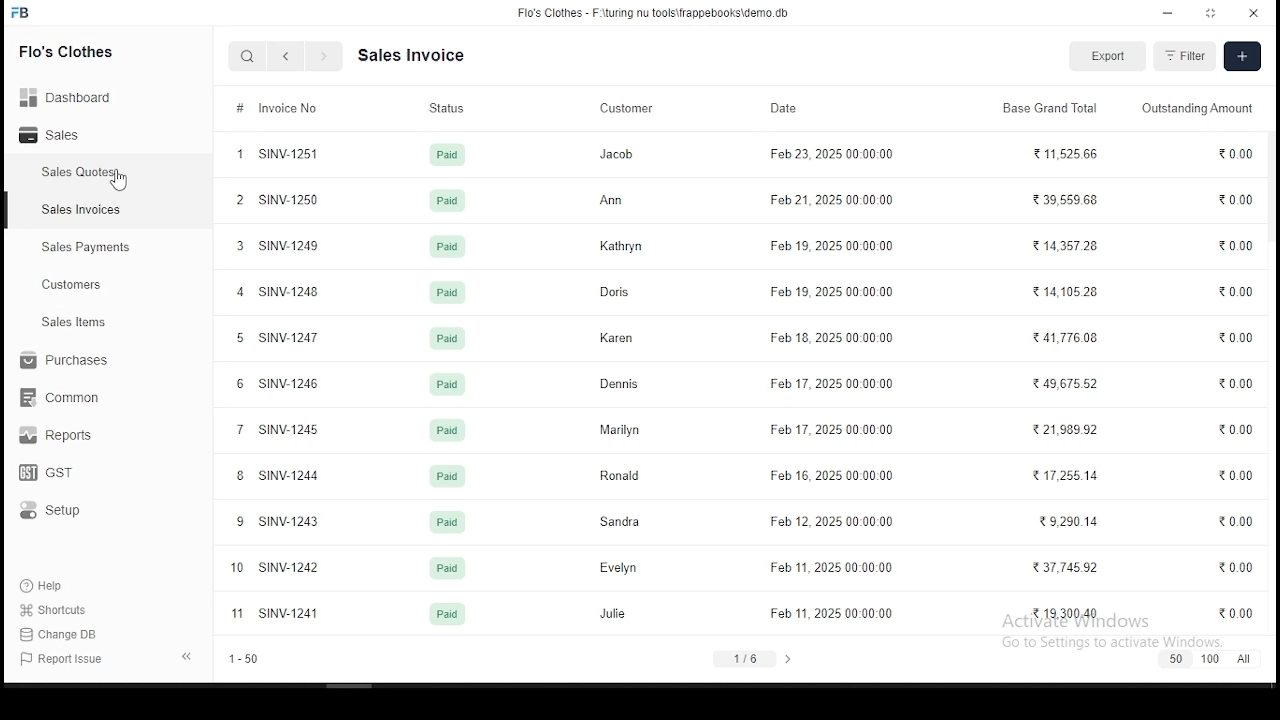 The height and width of the screenshot is (720, 1280). What do you see at coordinates (325, 58) in the screenshot?
I see `next` at bounding box center [325, 58].